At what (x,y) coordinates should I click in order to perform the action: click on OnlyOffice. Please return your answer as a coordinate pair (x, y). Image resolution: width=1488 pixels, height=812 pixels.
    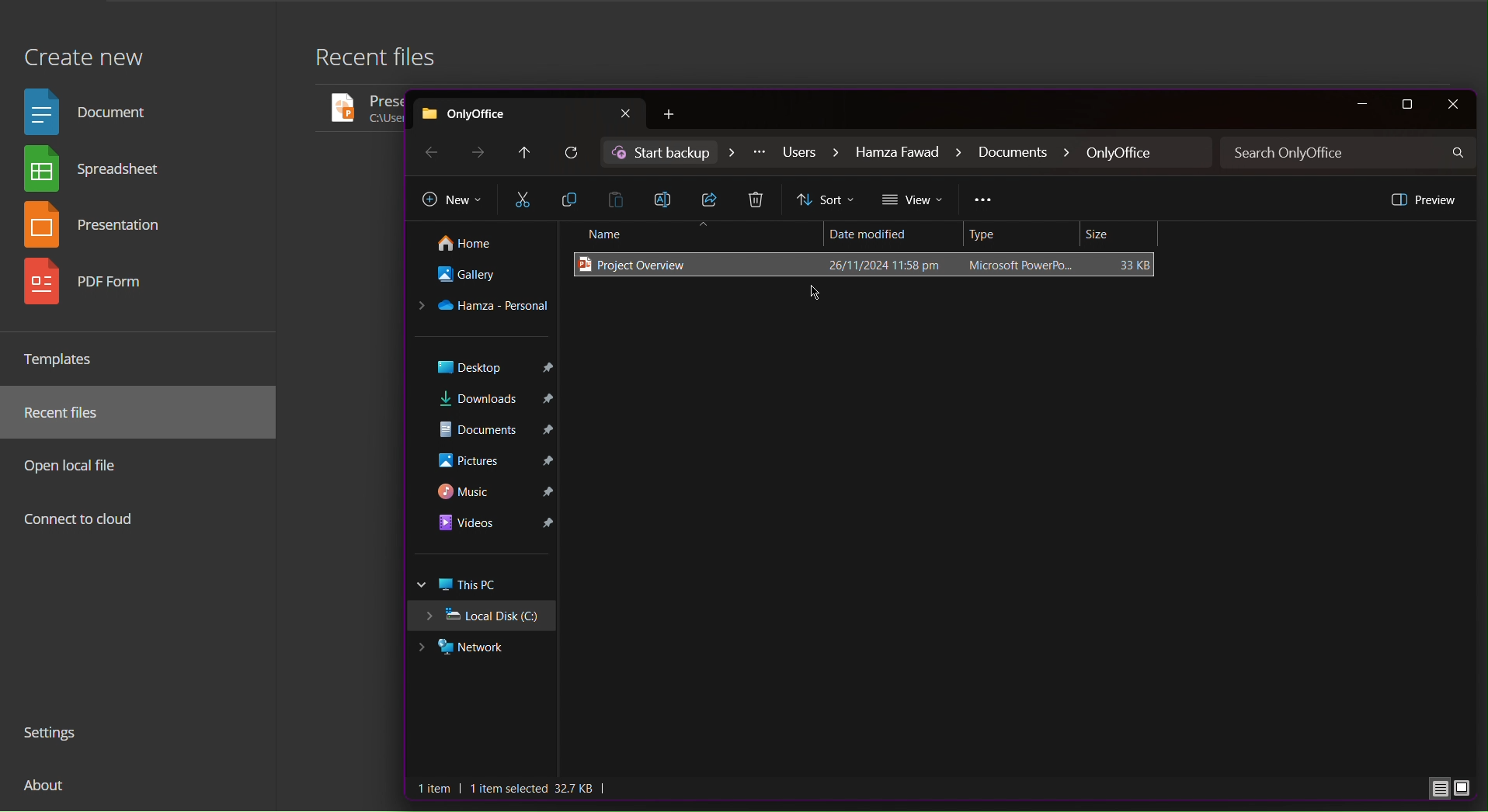
    Looking at the image, I should click on (530, 111).